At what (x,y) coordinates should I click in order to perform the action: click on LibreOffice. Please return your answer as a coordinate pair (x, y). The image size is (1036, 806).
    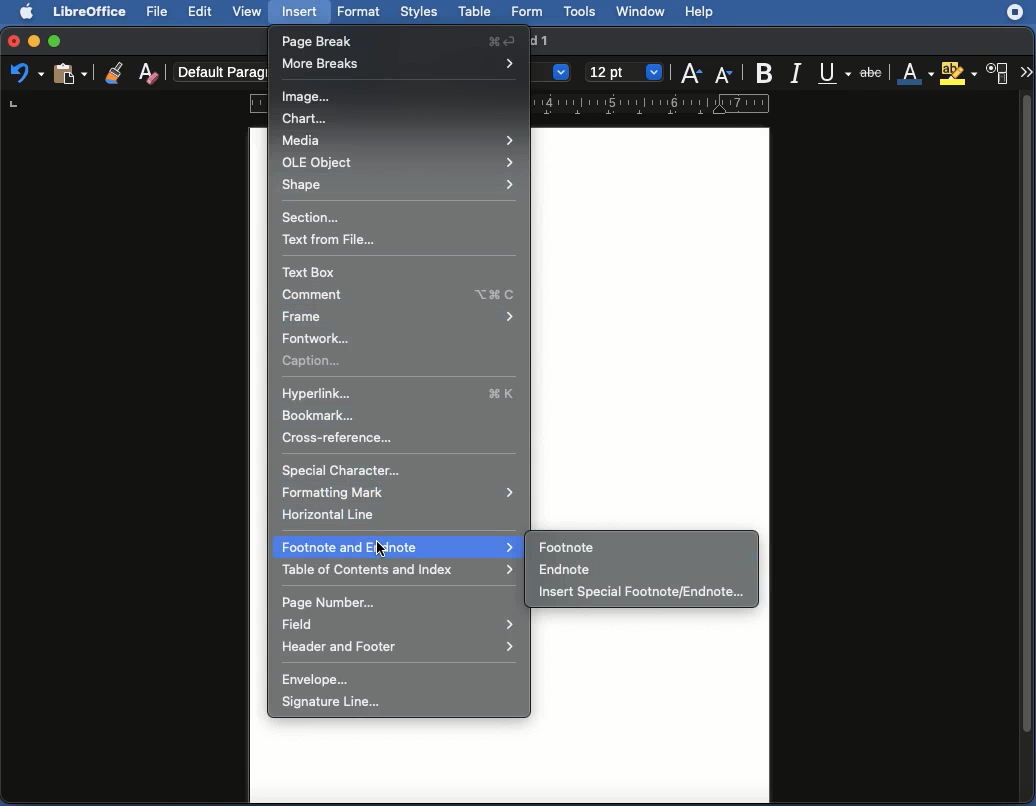
    Looking at the image, I should click on (91, 12).